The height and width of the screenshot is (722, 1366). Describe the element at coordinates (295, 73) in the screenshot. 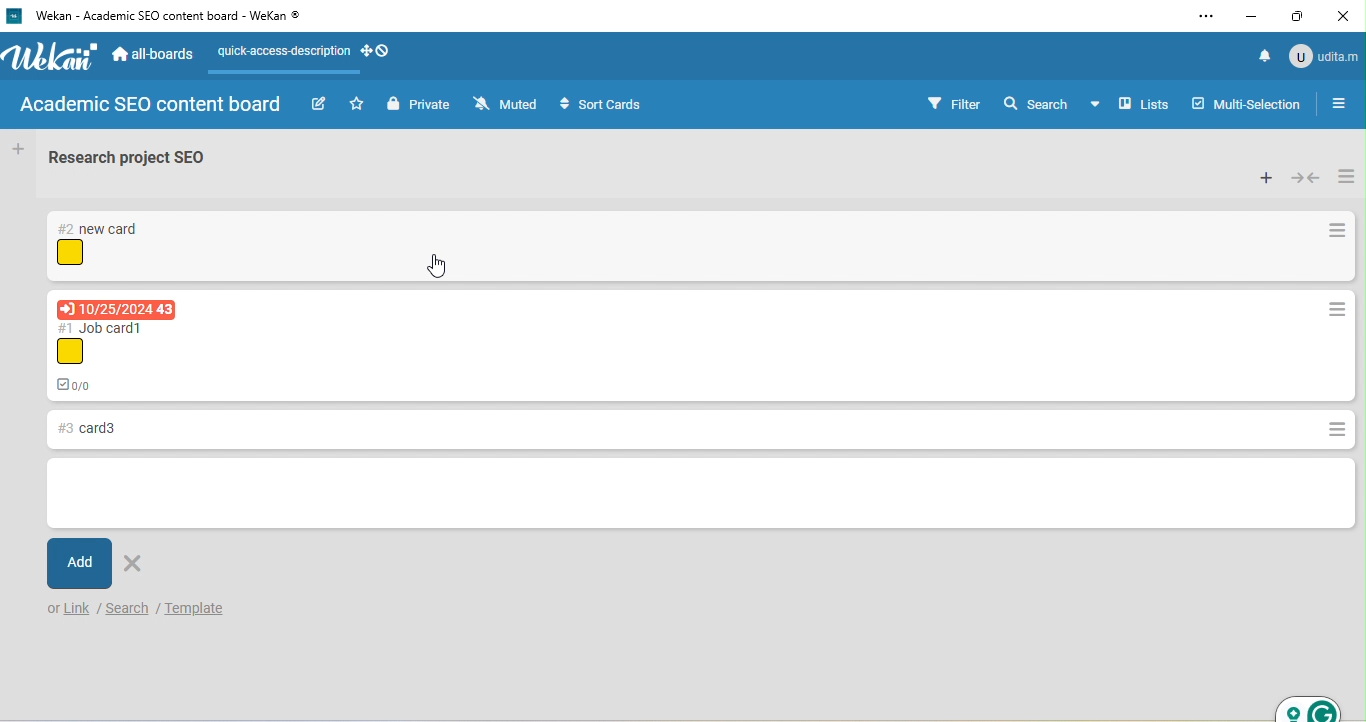

I see `line appeared` at that location.